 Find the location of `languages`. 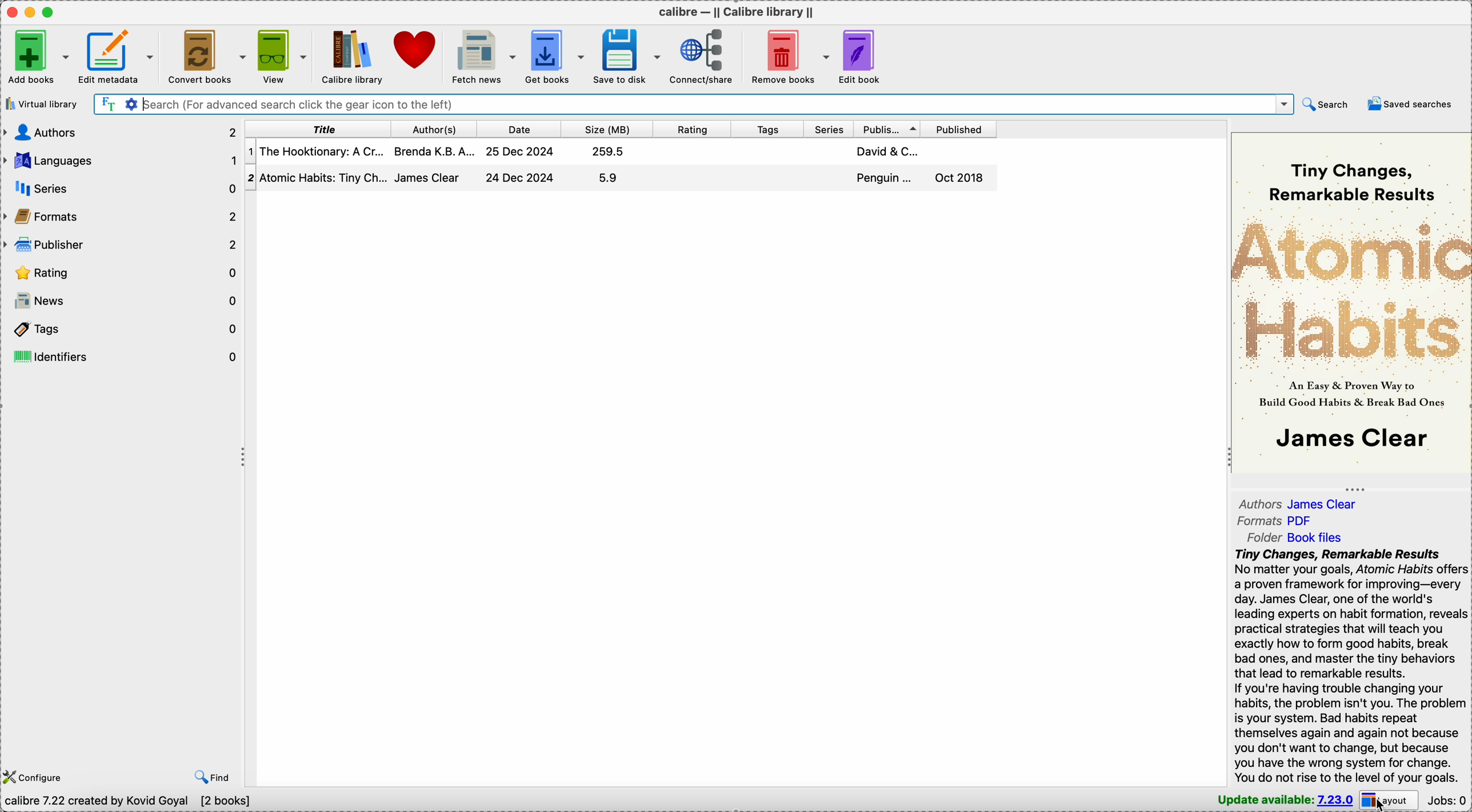

languages is located at coordinates (119, 161).